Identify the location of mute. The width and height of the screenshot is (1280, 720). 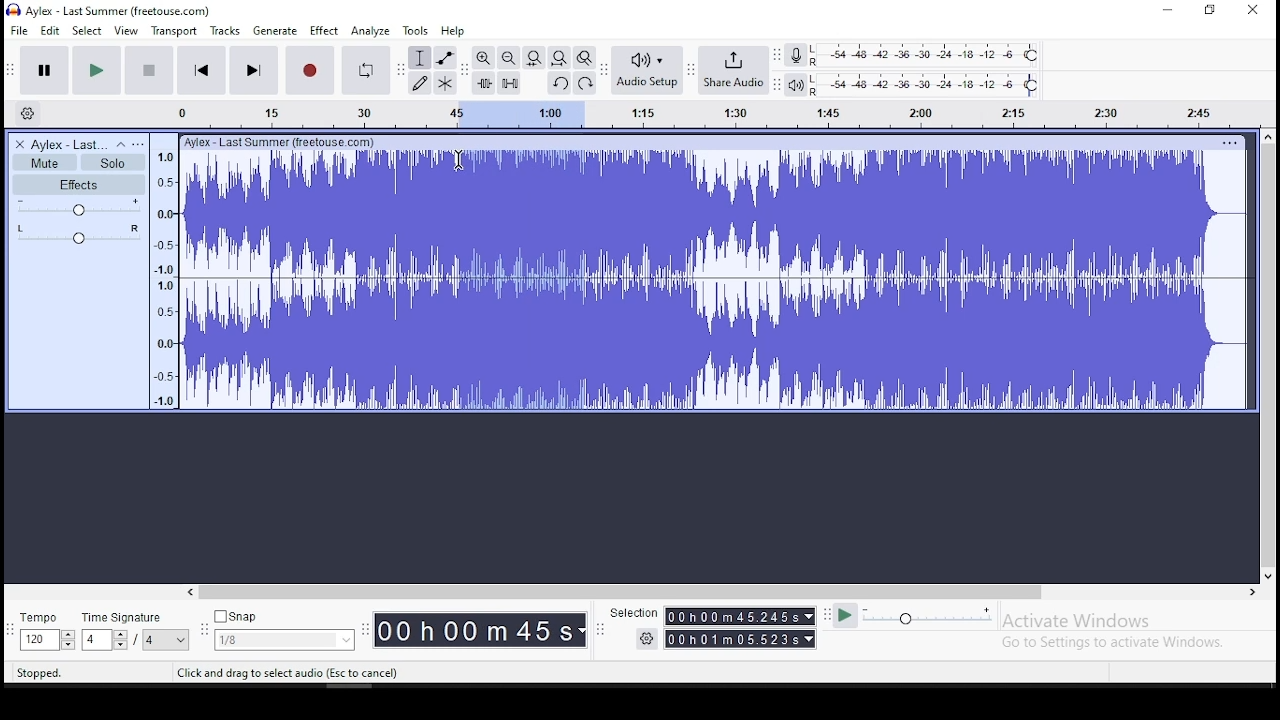
(45, 162).